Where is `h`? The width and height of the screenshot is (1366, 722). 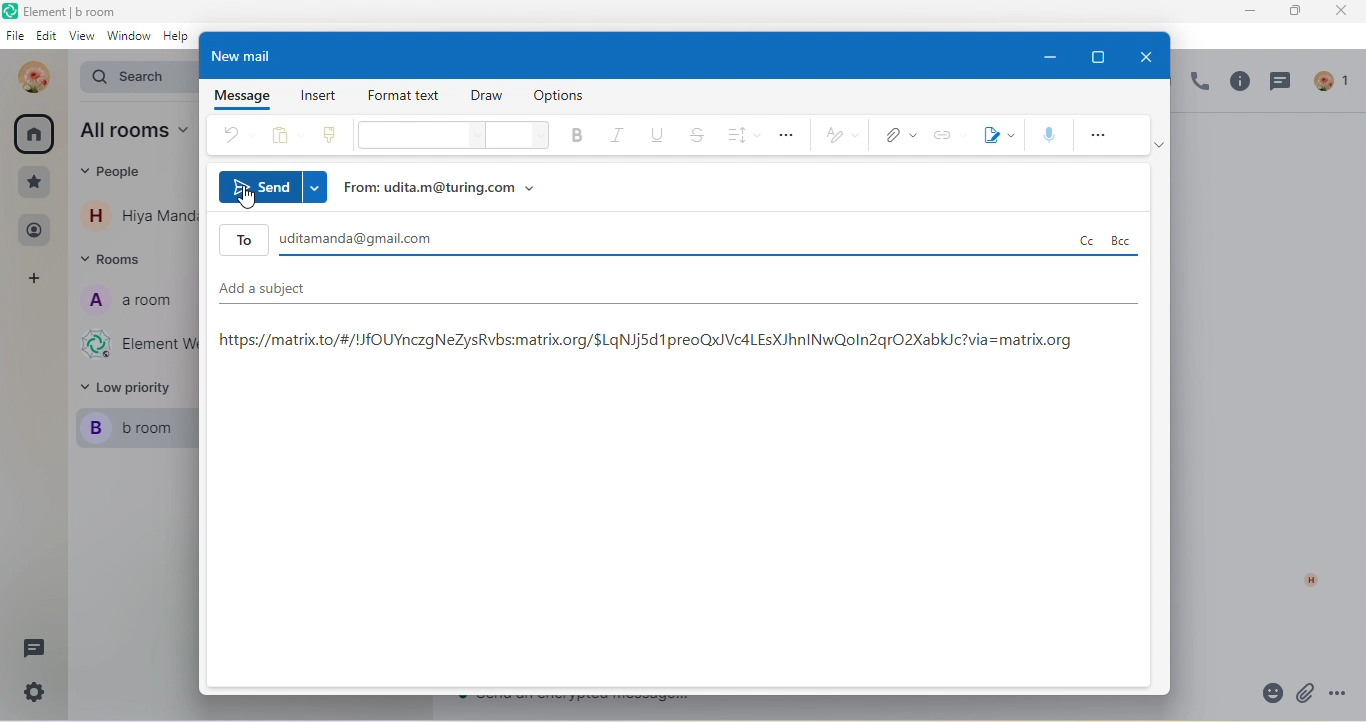
h is located at coordinates (1305, 579).